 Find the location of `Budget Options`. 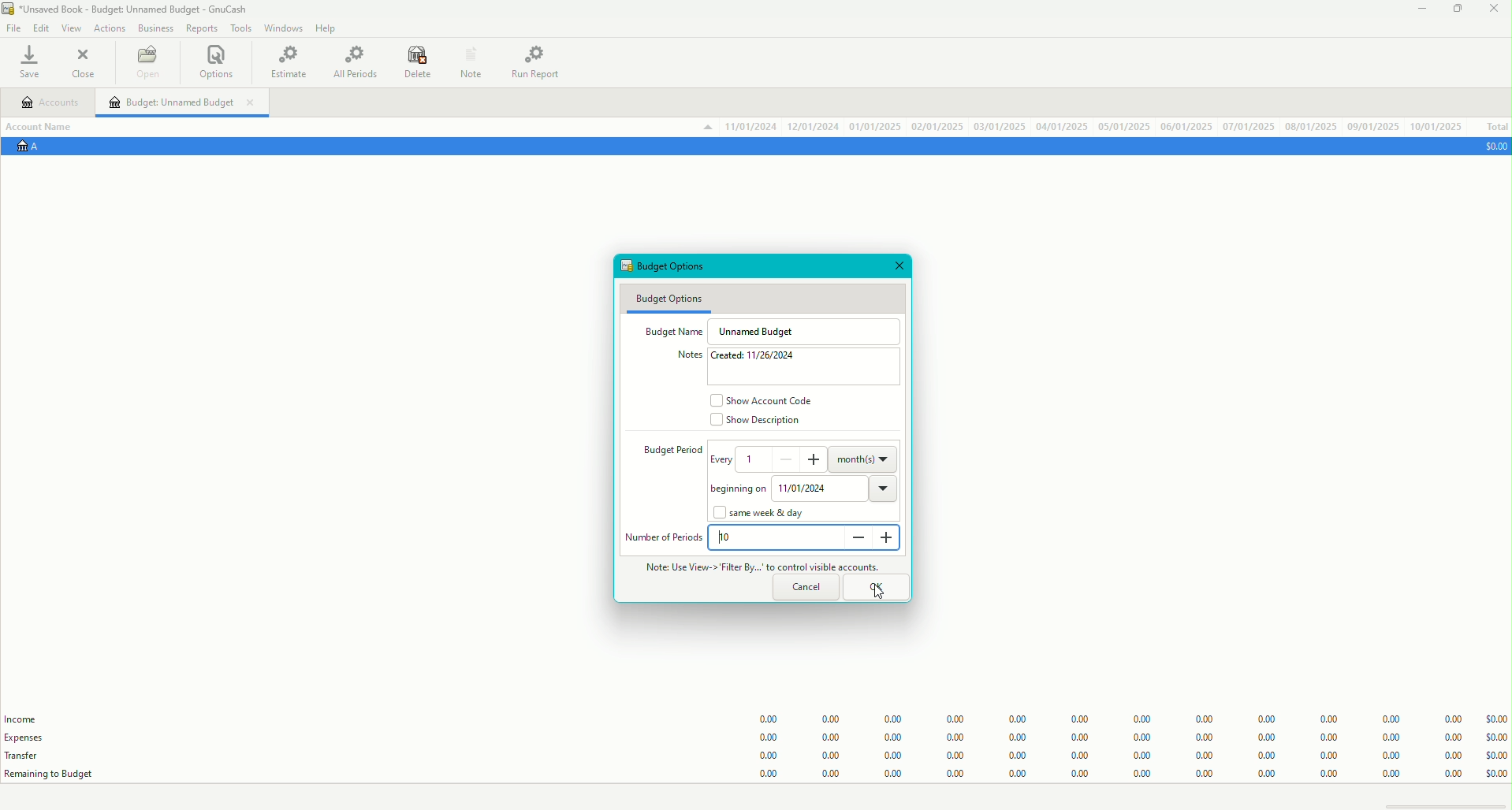

Budget Options is located at coordinates (673, 267).